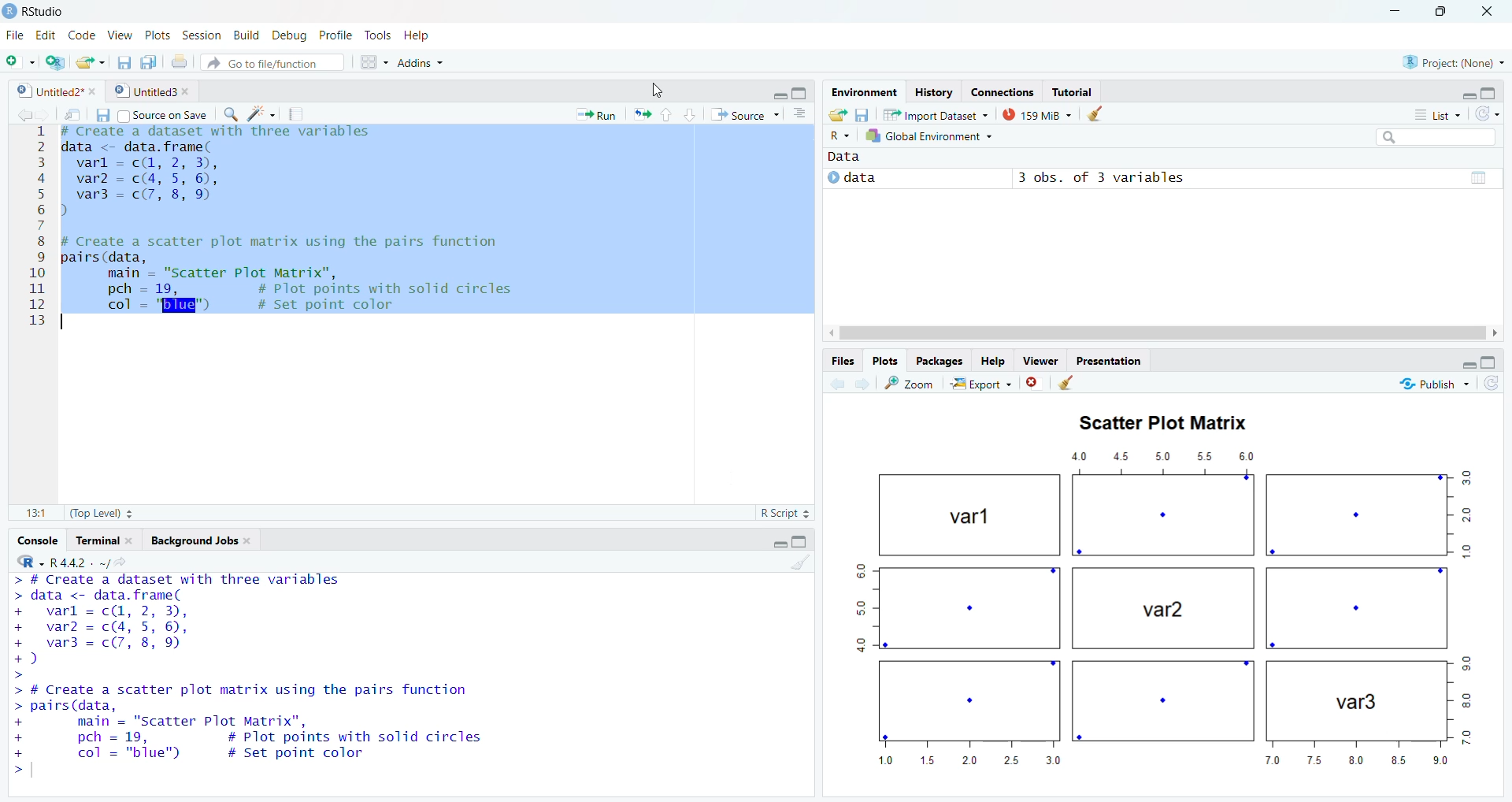 The image size is (1512, 802). What do you see at coordinates (888, 360) in the screenshot?
I see `Plots` at bounding box center [888, 360].